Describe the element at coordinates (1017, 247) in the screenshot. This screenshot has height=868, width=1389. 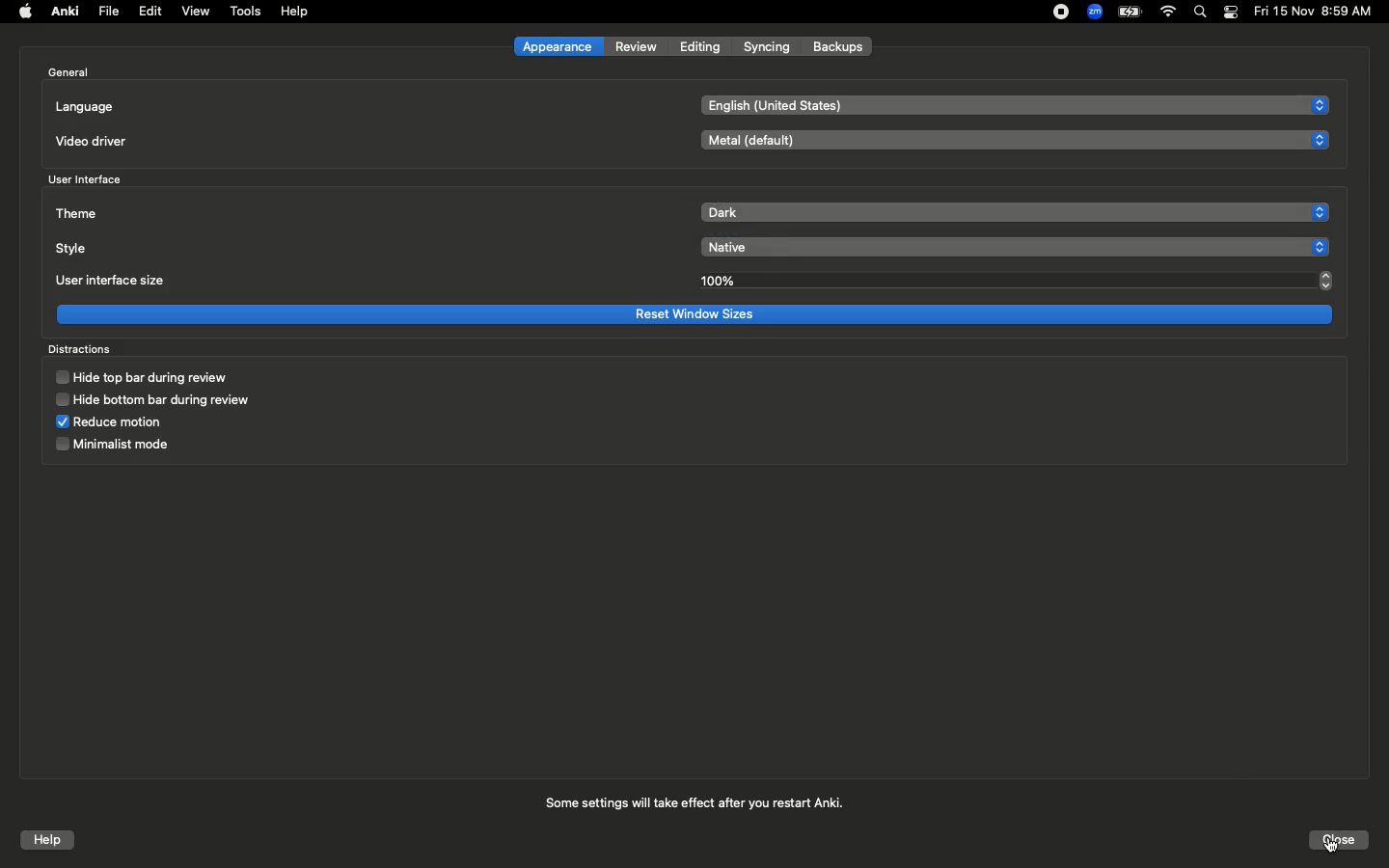
I see `Native` at that location.